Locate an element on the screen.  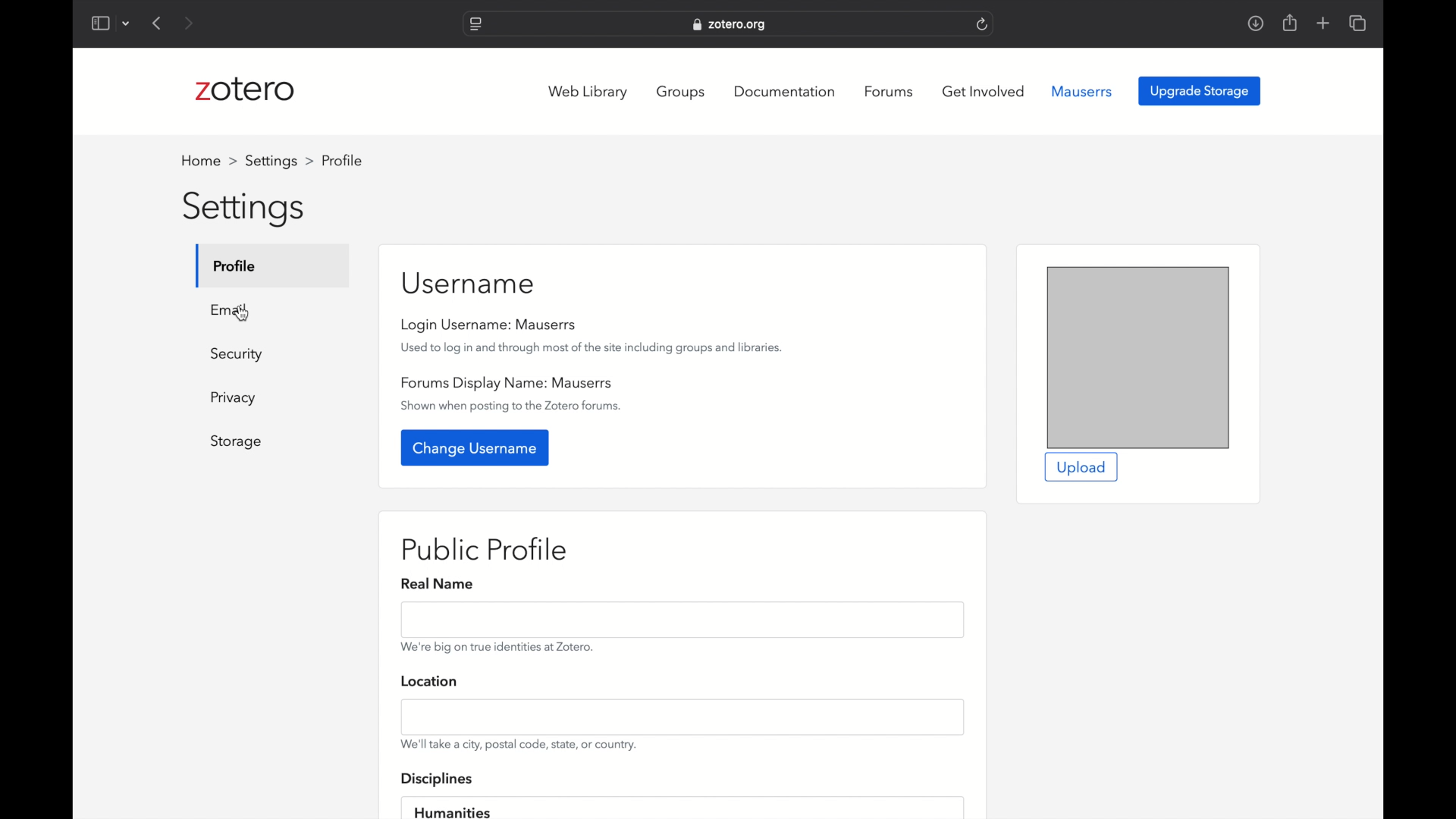
downloads is located at coordinates (1256, 23).